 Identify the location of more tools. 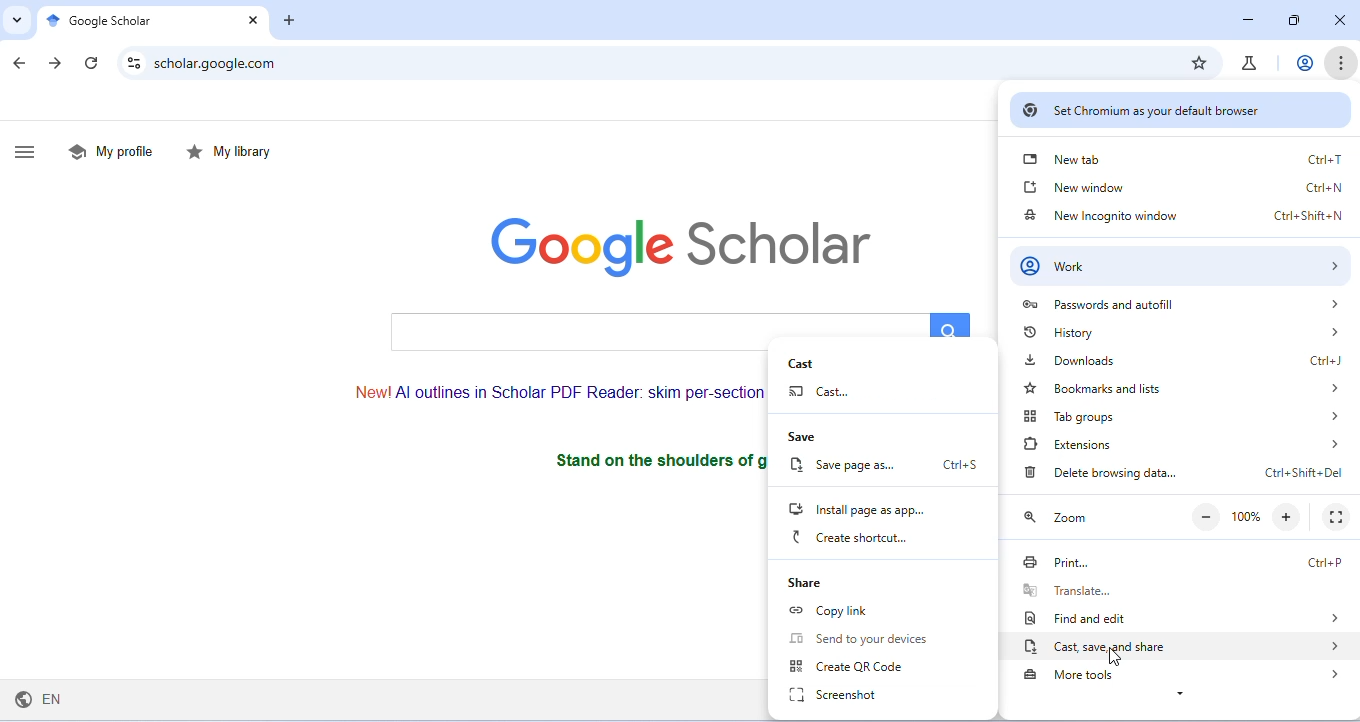
(1189, 676).